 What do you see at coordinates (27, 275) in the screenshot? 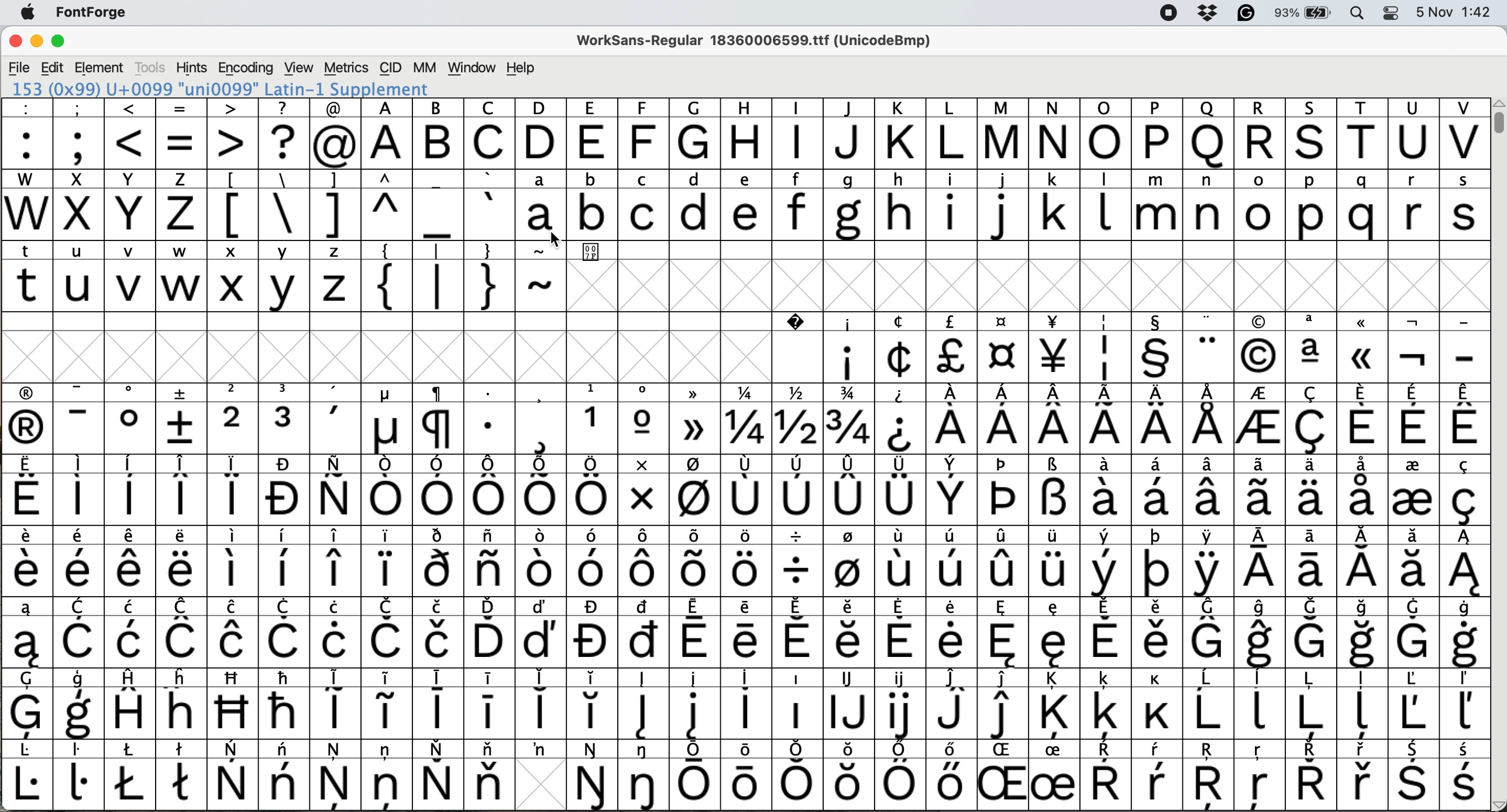
I see `t` at bounding box center [27, 275].